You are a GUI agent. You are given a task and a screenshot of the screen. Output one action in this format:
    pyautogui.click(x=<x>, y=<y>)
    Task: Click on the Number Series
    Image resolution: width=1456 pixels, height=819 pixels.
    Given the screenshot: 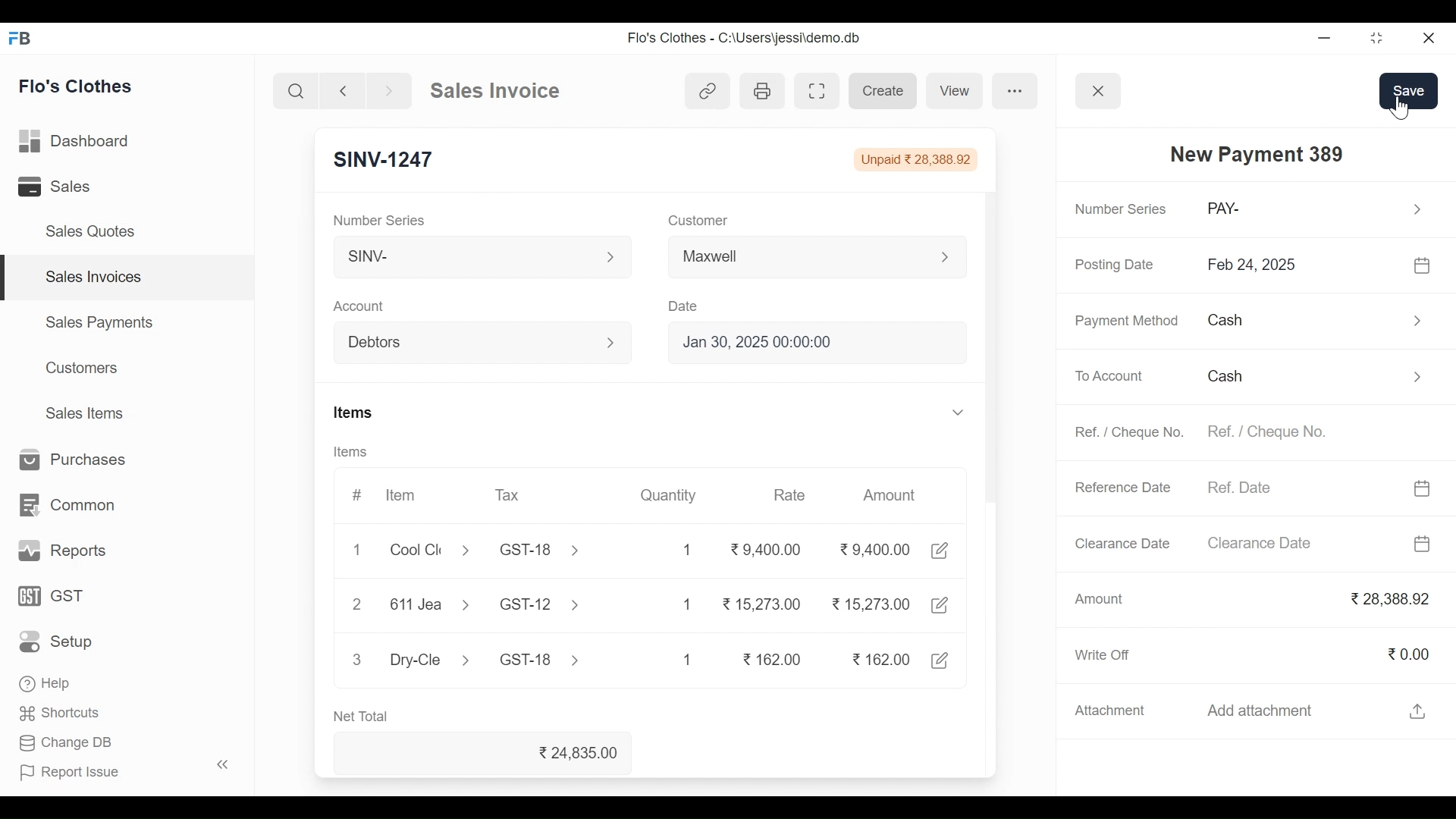 What is the action you would take?
    pyautogui.click(x=381, y=220)
    